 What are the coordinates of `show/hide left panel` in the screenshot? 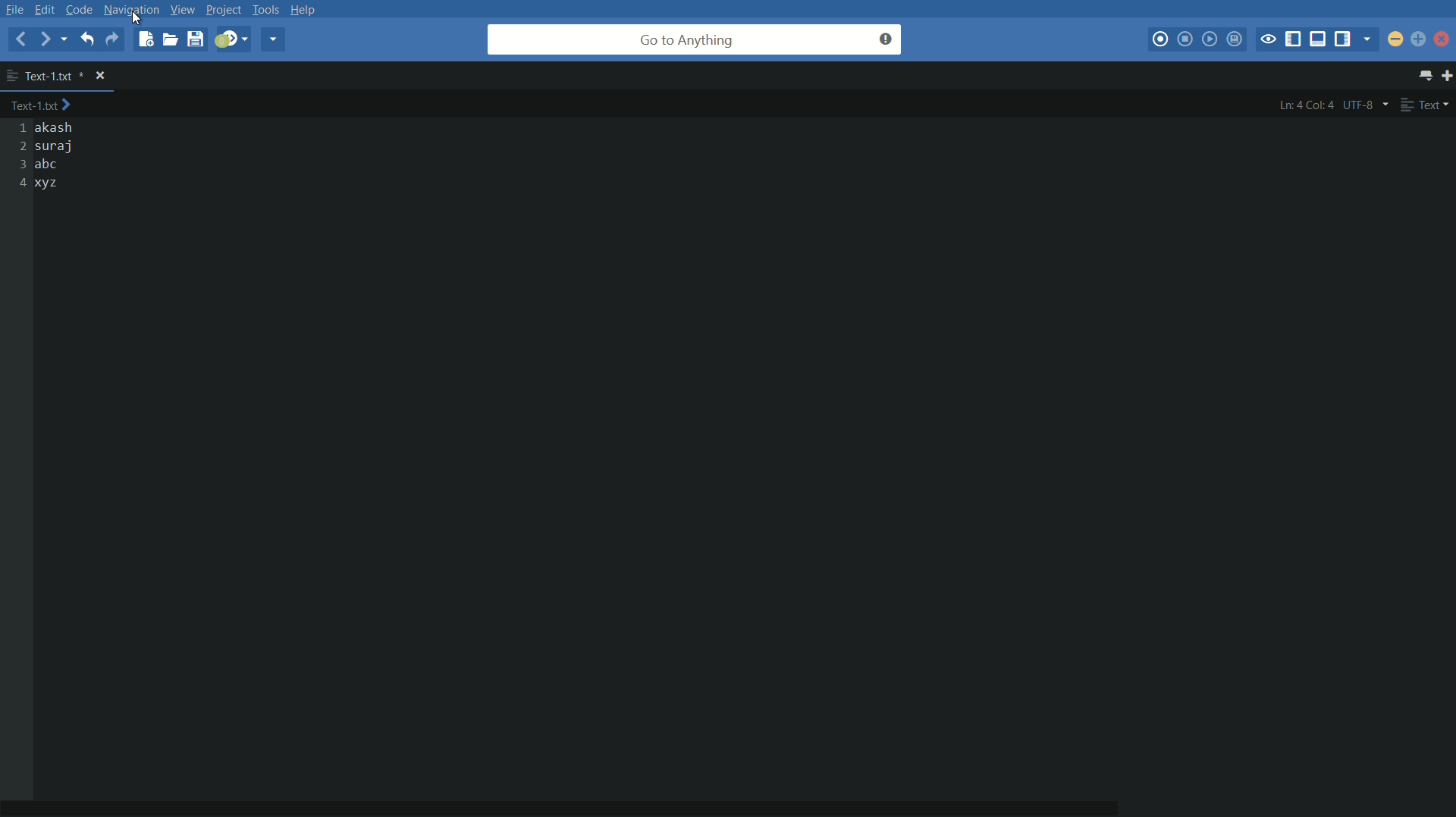 It's located at (1293, 39).